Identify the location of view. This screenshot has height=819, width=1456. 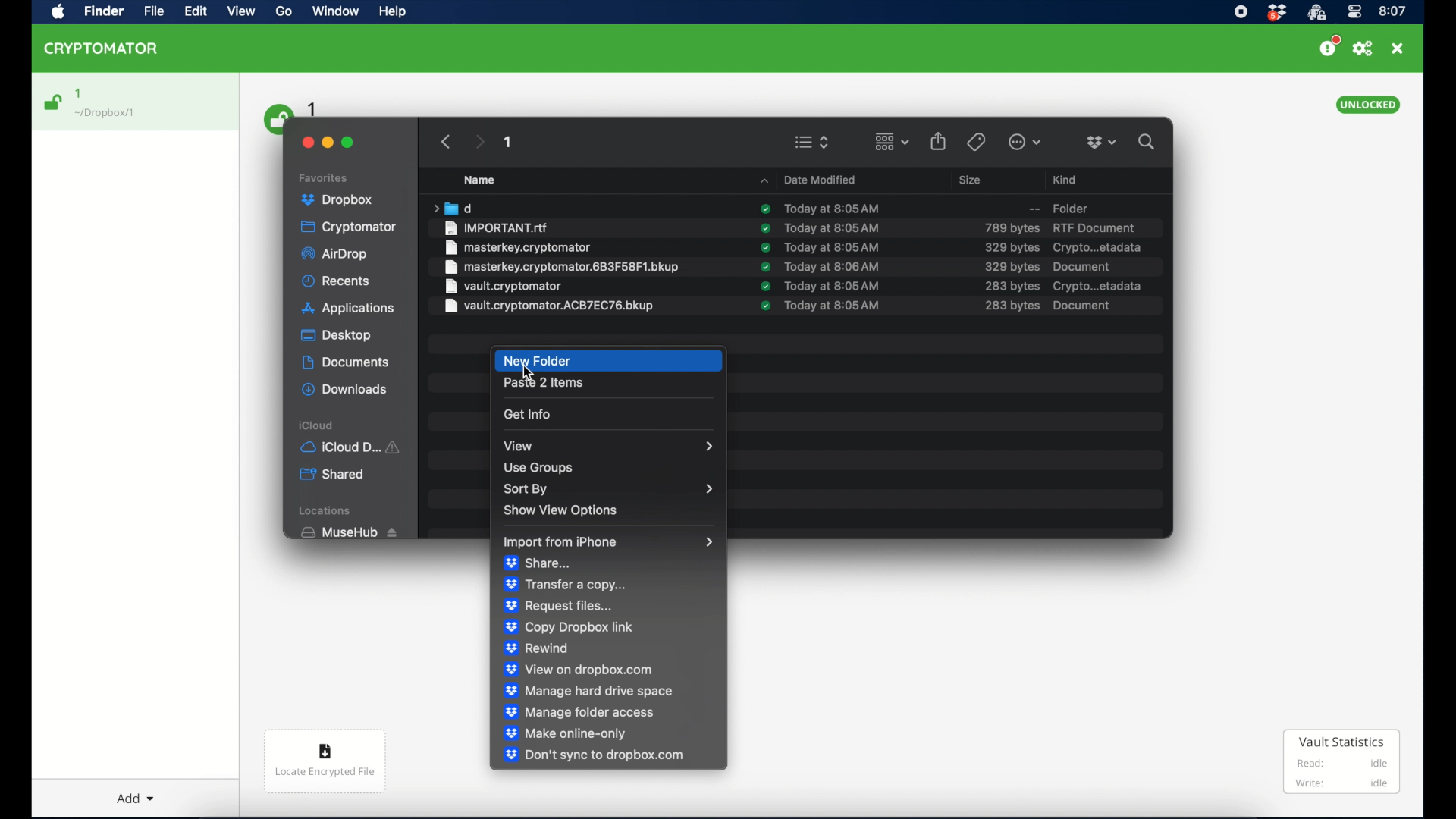
(579, 670).